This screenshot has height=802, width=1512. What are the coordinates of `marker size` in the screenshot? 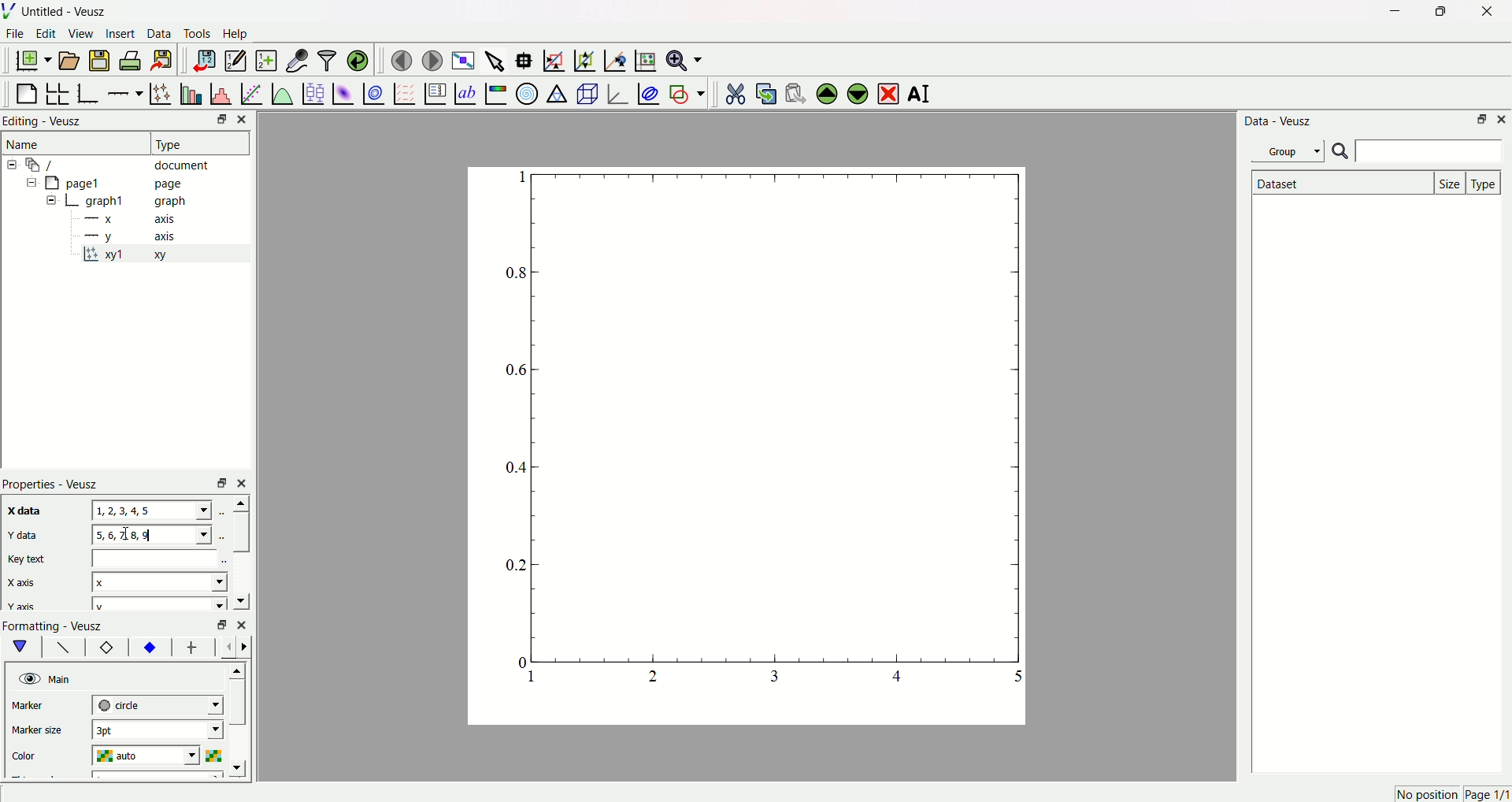 It's located at (41, 732).